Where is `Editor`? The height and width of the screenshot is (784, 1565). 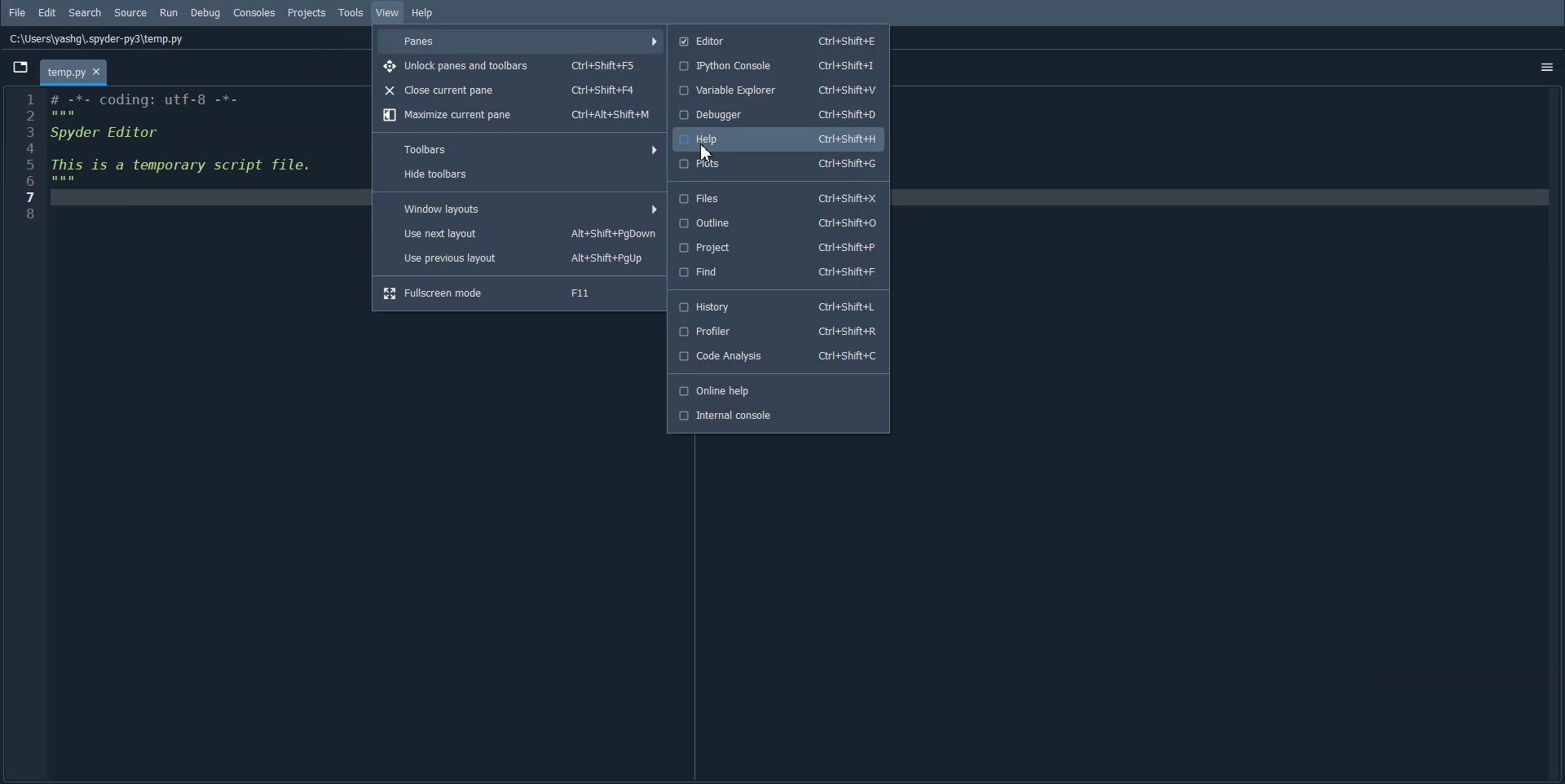 Editor is located at coordinates (777, 41).